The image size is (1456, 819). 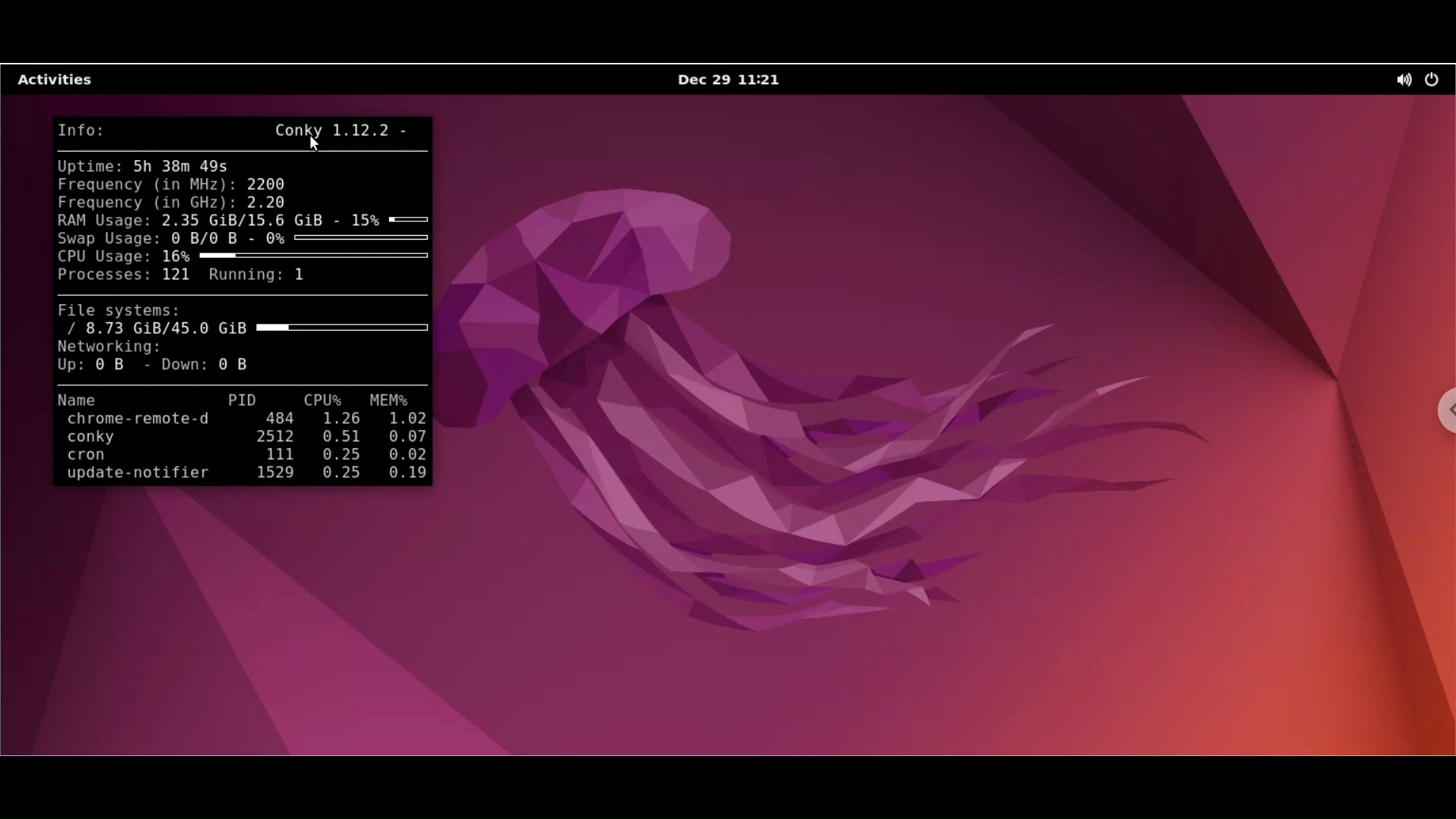 What do you see at coordinates (1442, 408) in the screenshot?
I see `chrome options` at bounding box center [1442, 408].